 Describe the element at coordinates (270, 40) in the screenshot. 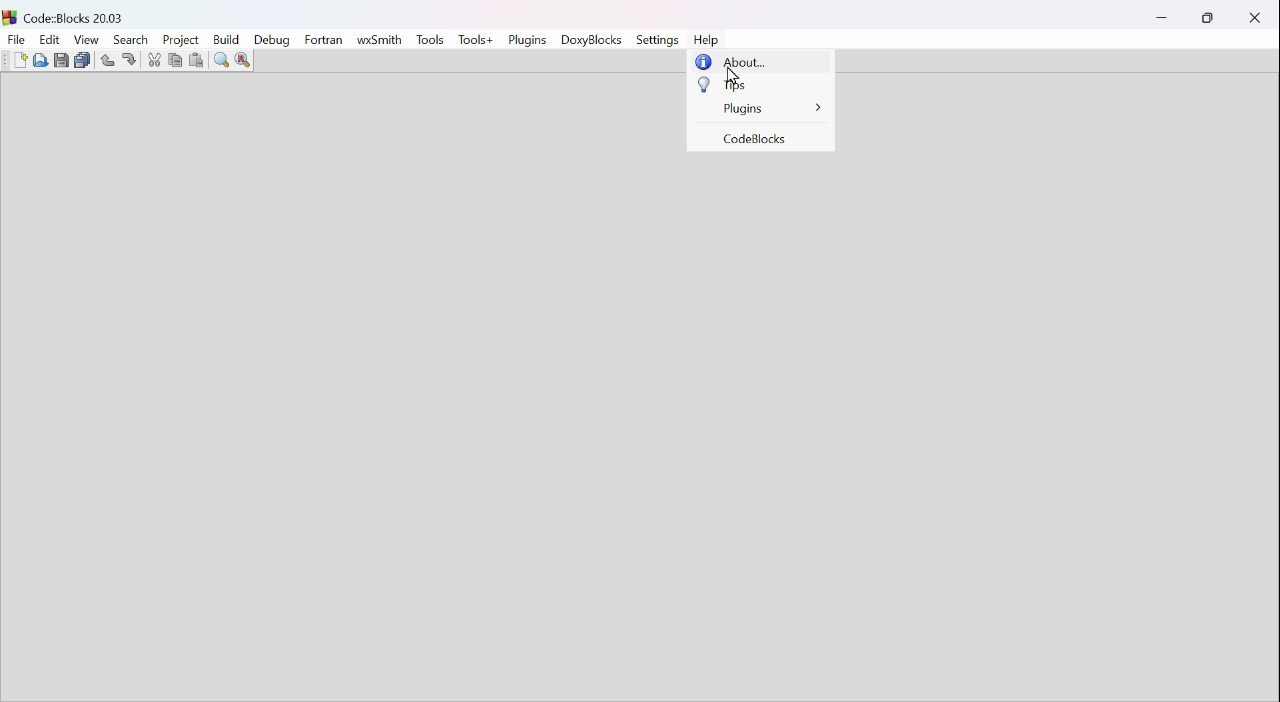

I see `Debug` at that location.